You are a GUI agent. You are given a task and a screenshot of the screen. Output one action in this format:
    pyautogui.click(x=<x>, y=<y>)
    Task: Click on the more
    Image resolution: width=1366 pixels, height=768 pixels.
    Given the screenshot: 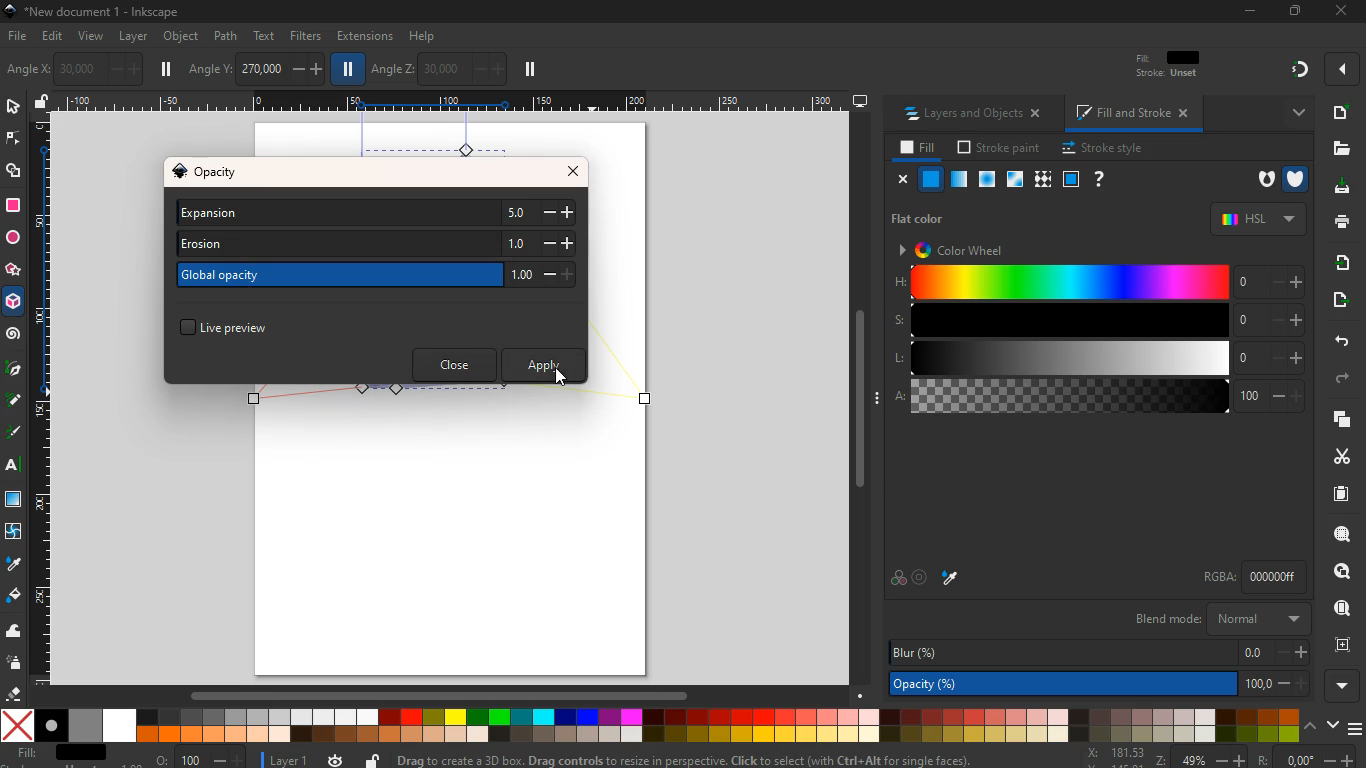 What is the action you would take?
    pyautogui.click(x=1341, y=685)
    